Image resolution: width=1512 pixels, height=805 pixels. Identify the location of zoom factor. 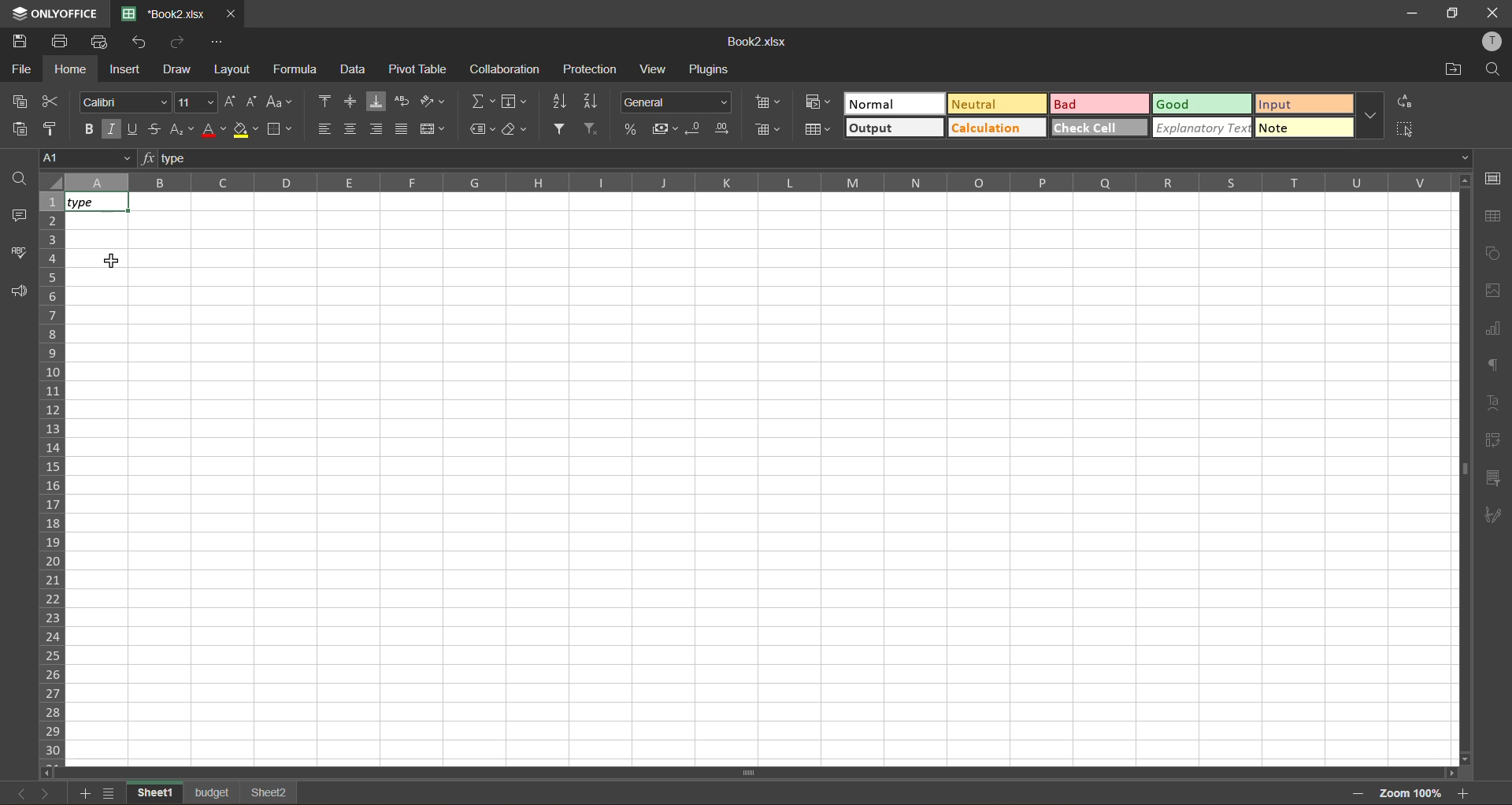
(1409, 795).